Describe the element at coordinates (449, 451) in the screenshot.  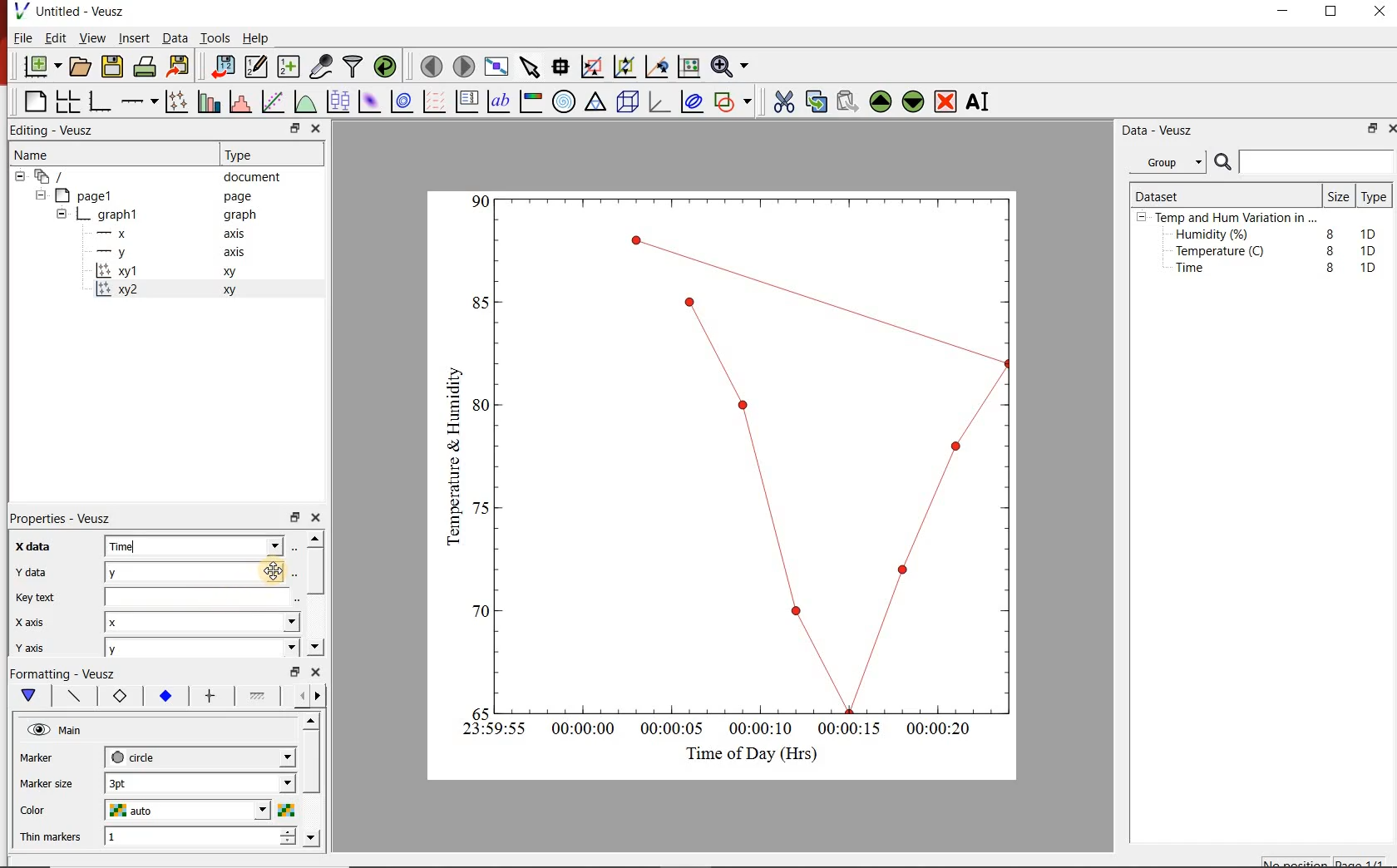
I see `Temperature & Humidity` at that location.